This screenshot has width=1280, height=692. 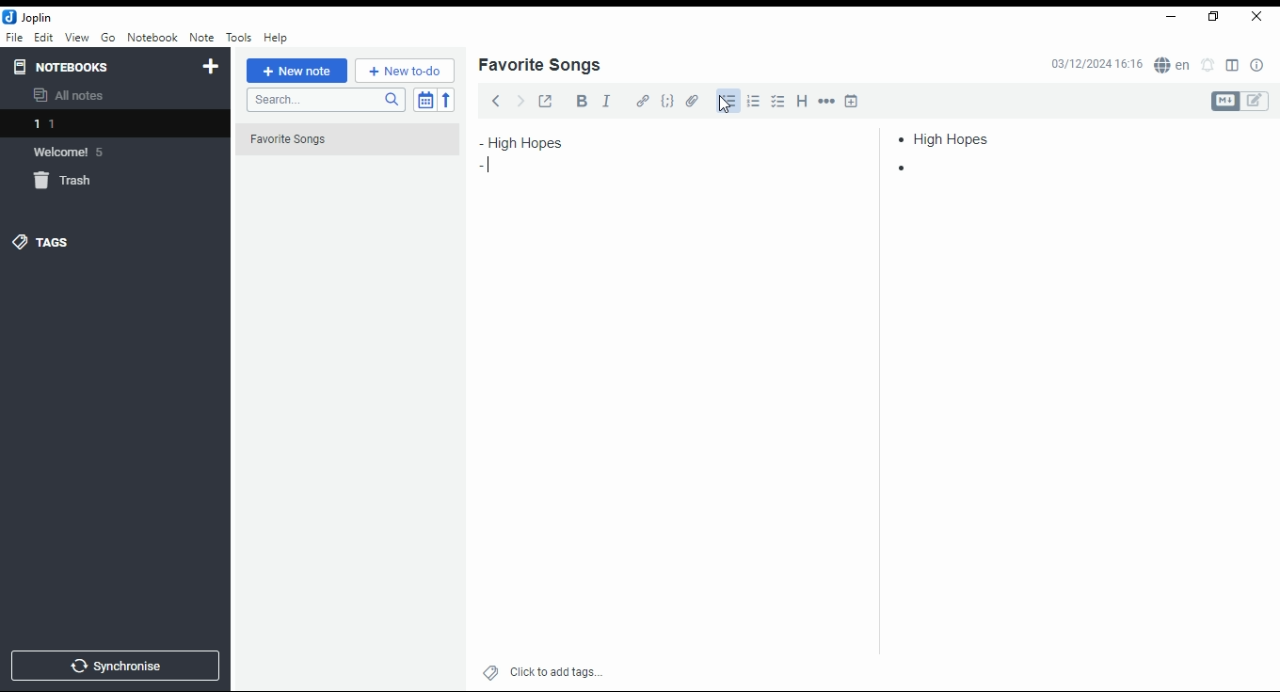 What do you see at coordinates (325, 100) in the screenshot?
I see `search` at bounding box center [325, 100].